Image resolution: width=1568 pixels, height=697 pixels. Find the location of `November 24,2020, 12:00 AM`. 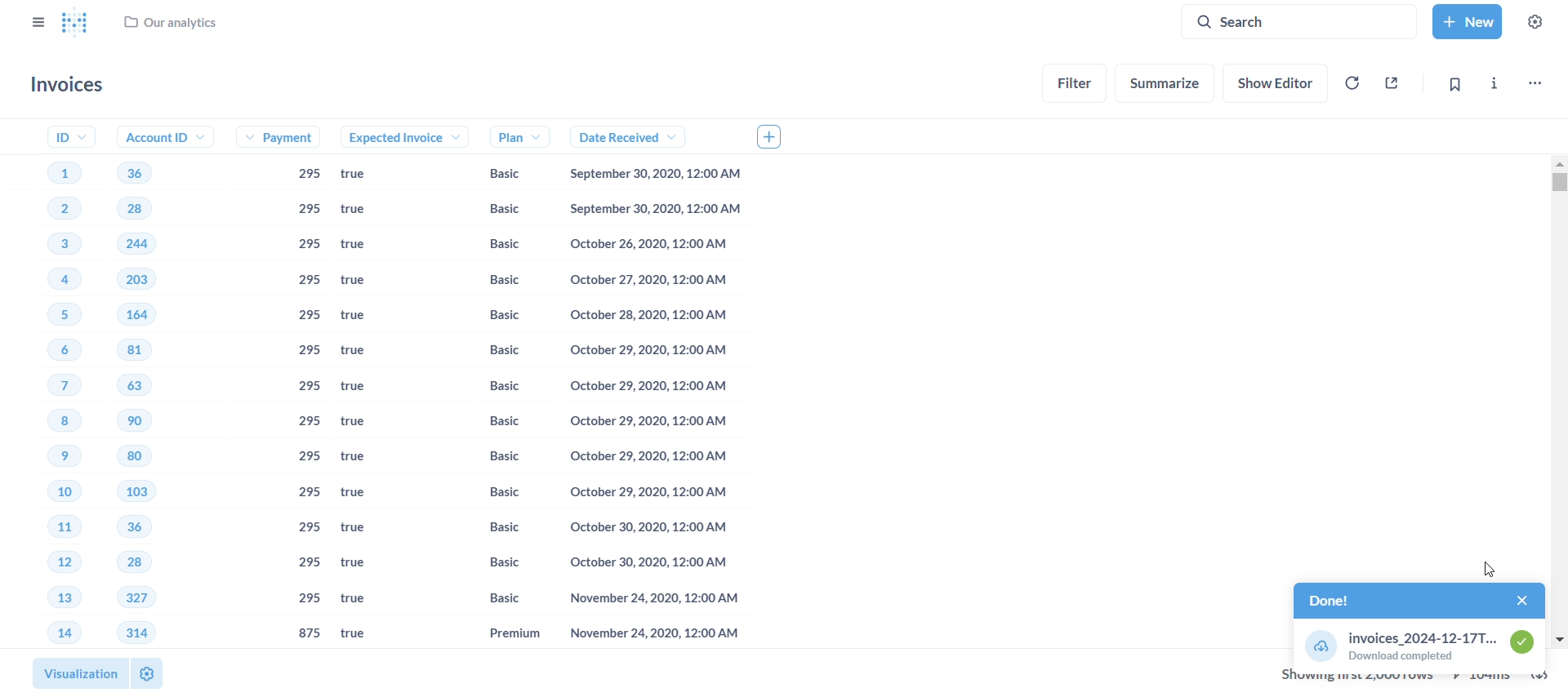

November 24,2020, 12:00 AM is located at coordinates (644, 600).